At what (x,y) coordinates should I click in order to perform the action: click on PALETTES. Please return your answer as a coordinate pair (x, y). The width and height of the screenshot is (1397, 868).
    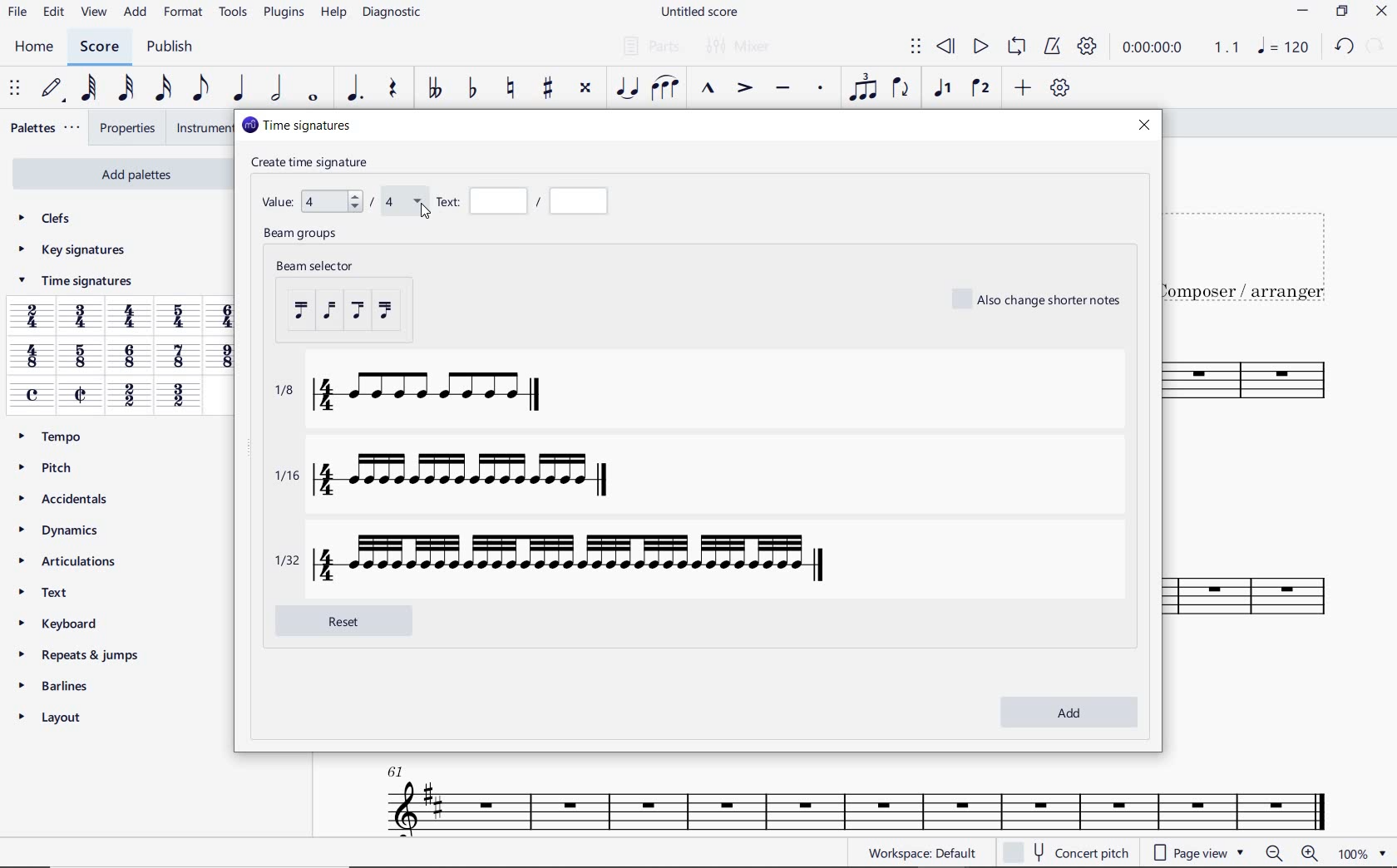
    Looking at the image, I should click on (46, 128).